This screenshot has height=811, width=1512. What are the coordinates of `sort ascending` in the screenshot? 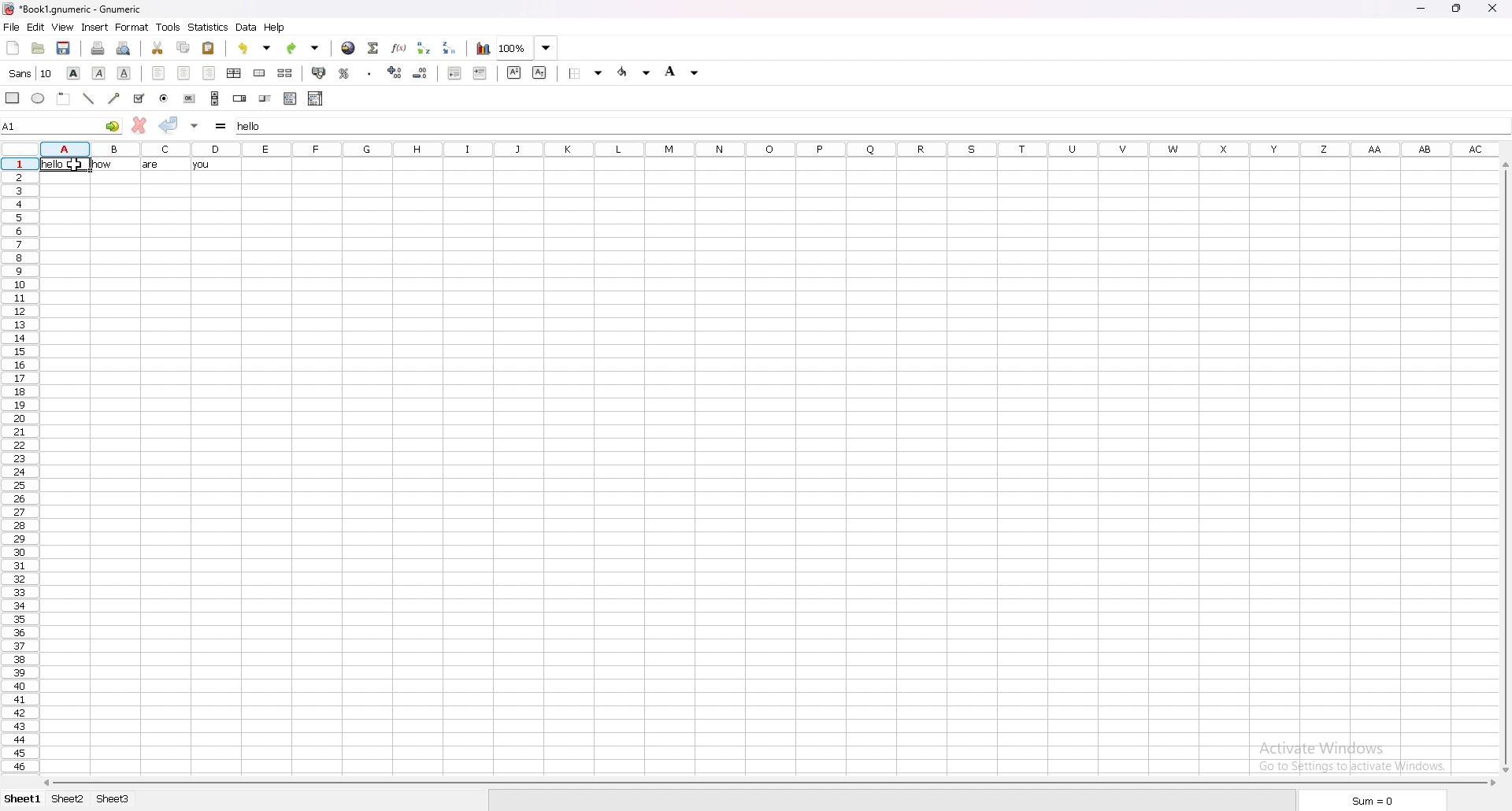 It's located at (425, 46).